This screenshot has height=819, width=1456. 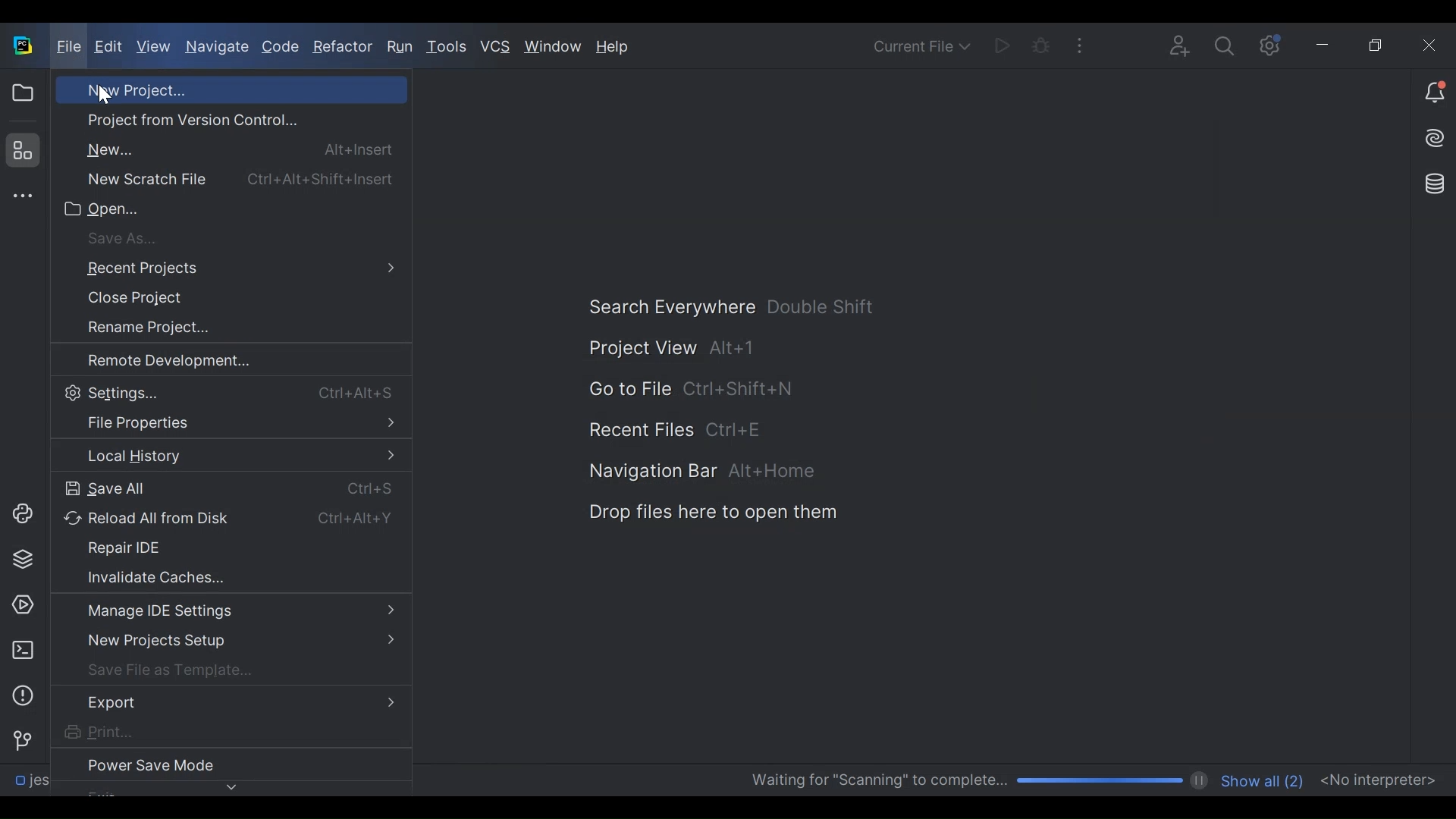 What do you see at coordinates (1081, 46) in the screenshot?
I see `More` at bounding box center [1081, 46].